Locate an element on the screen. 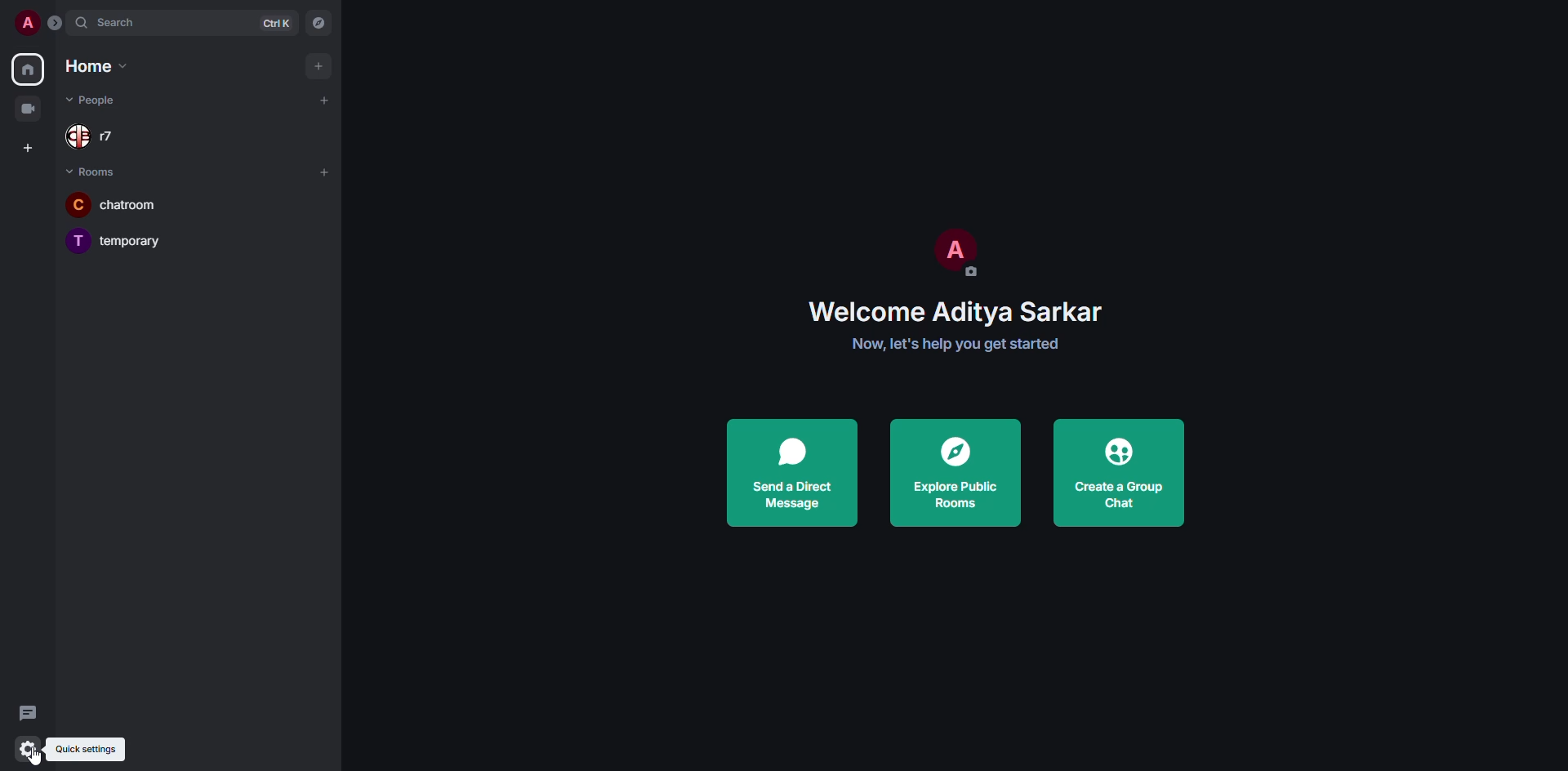 Image resolution: width=1568 pixels, height=771 pixels. profile is located at coordinates (28, 23).